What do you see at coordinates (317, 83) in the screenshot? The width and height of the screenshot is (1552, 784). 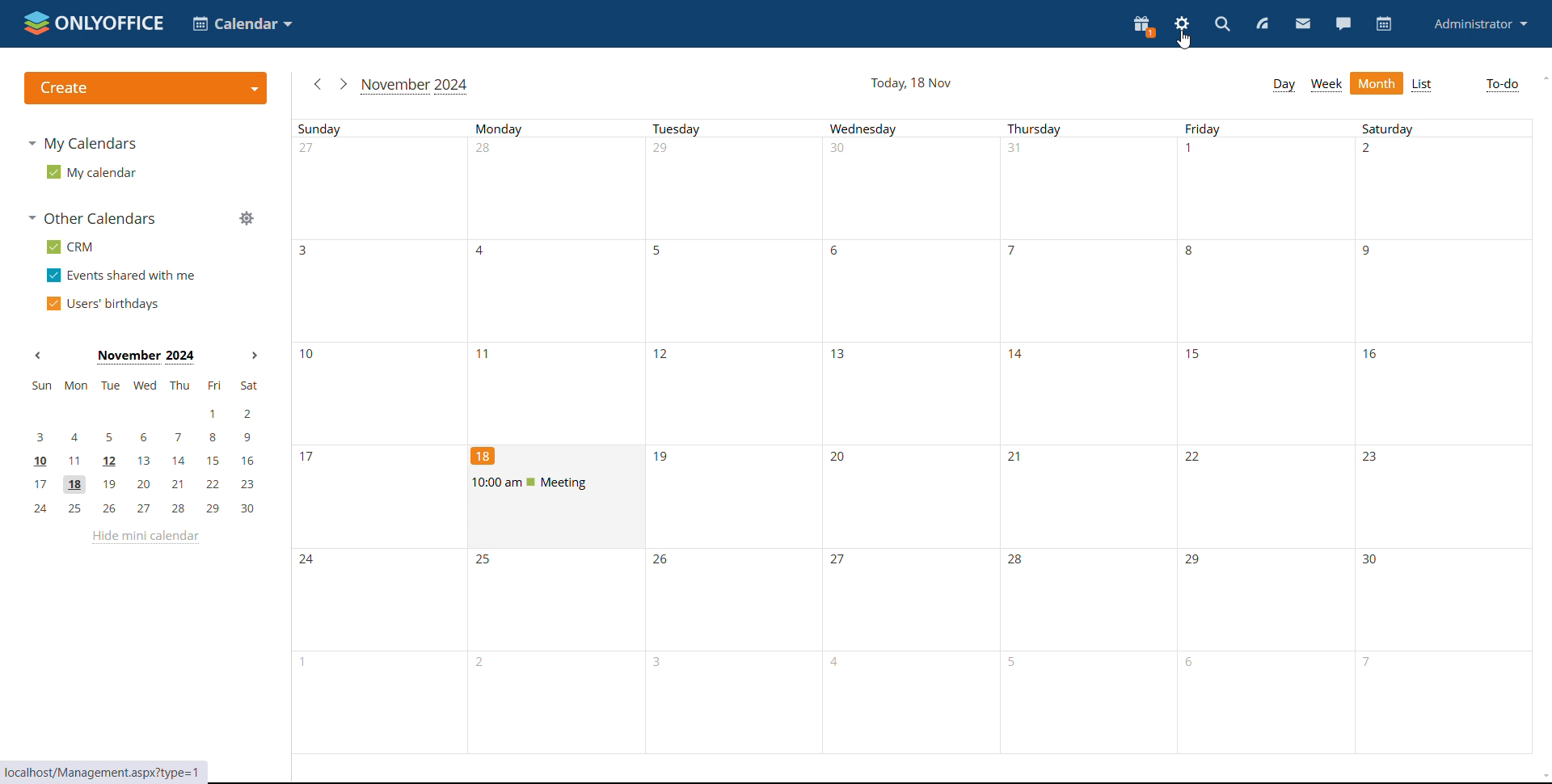 I see `previous month` at bounding box center [317, 83].